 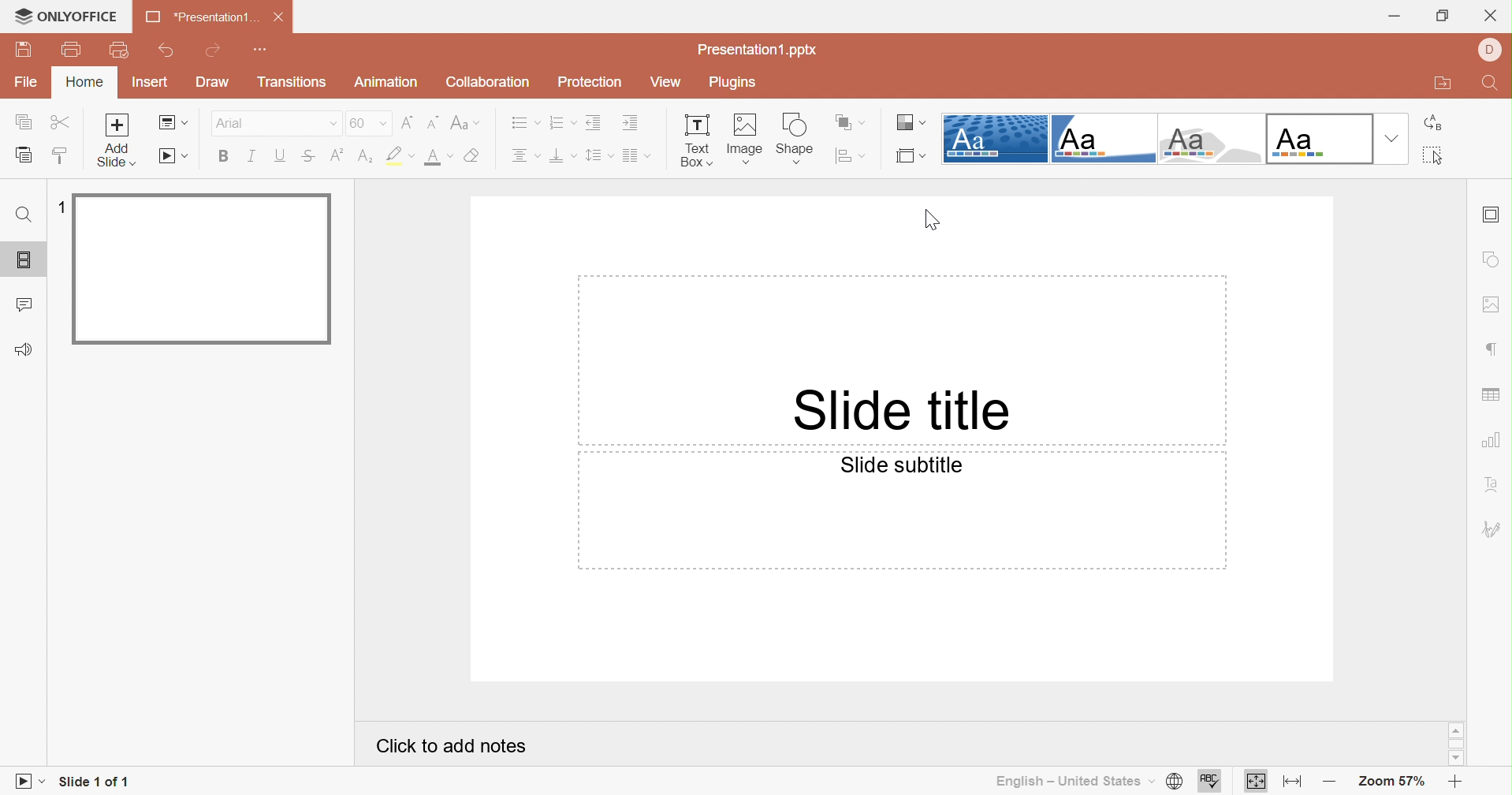 What do you see at coordinates (119, 48) in the screenshot?
I see `Quick print` at bounding box center [119, 48].